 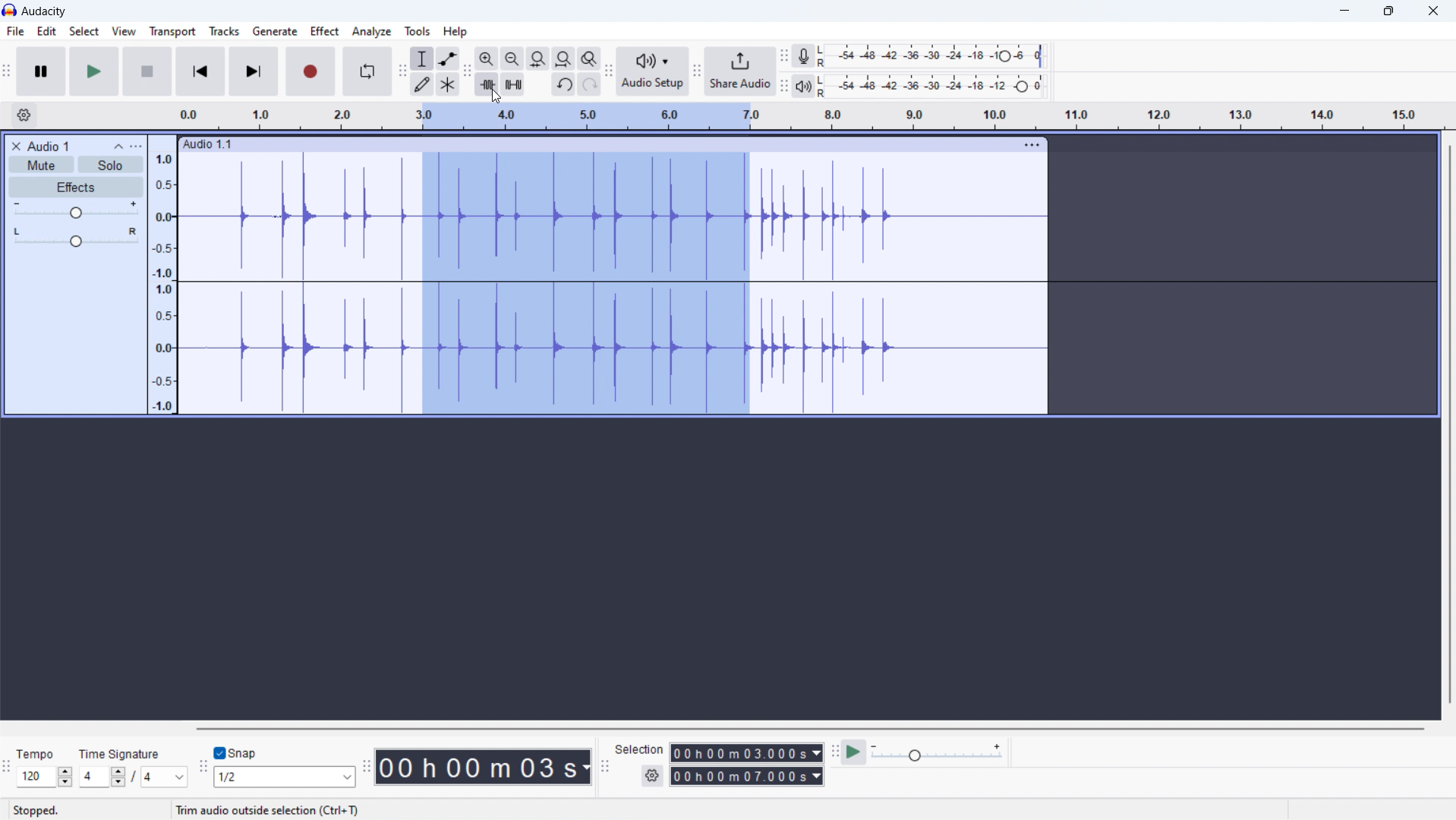 What do you see at coordinates (15, 31) in the screenshot?
I see `file` at bounding box center [15, 31].